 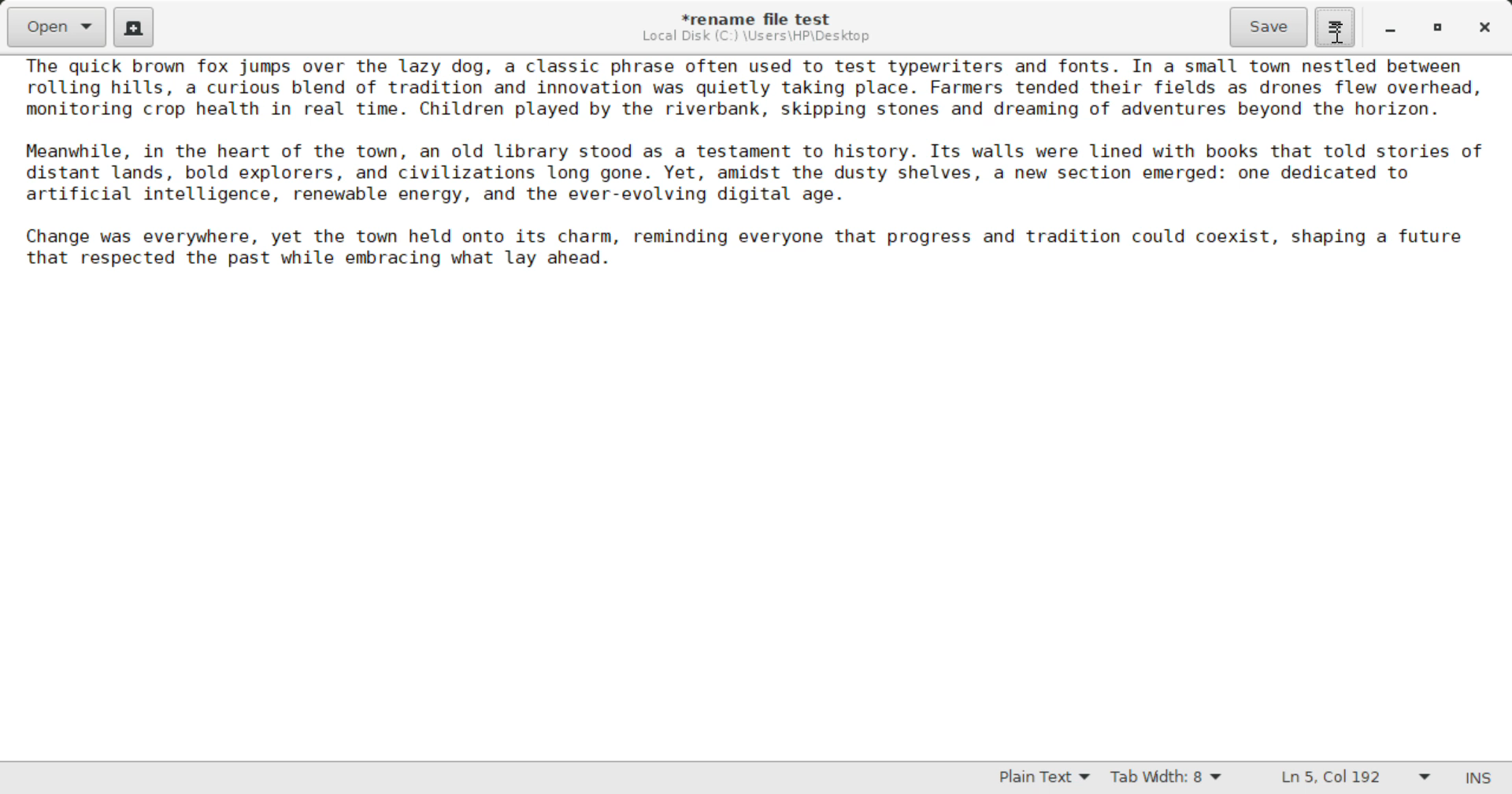 I want to click on Selected Language, so click(x=1045, y=779).